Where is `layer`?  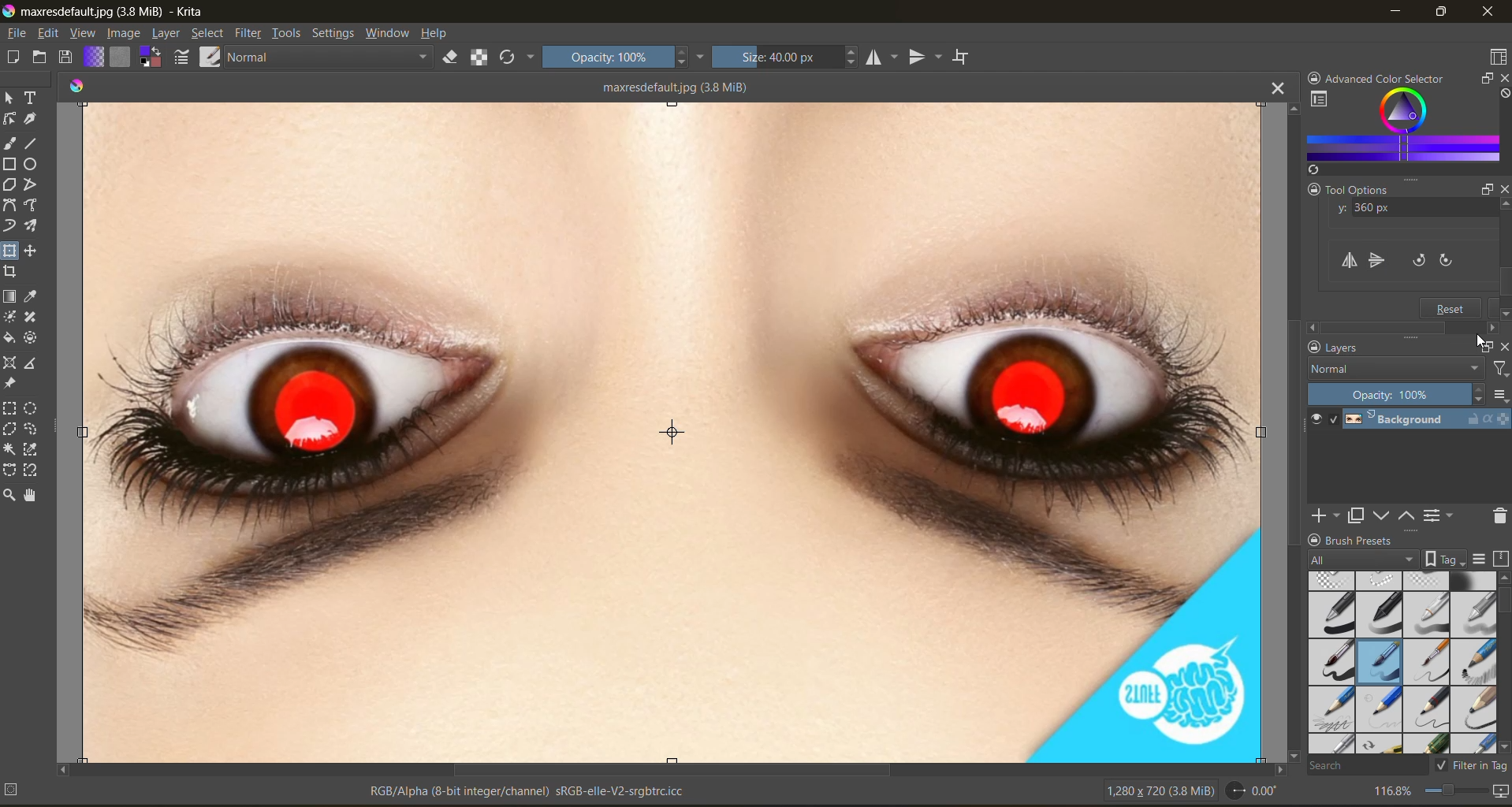 layer is located at coordinates (166, 33).